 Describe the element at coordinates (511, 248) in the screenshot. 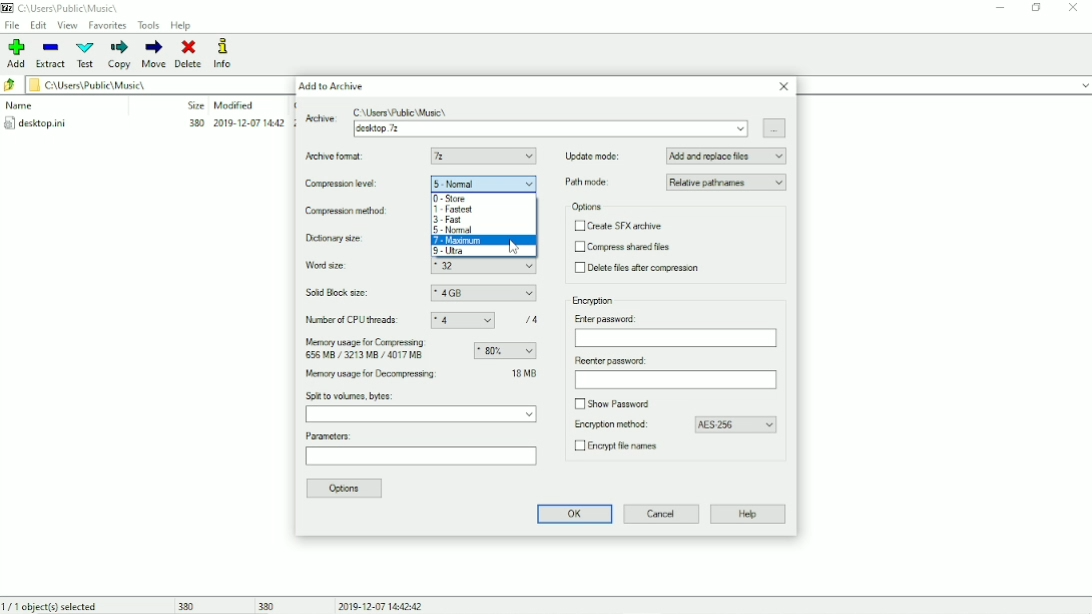

I see `cursr` at that location.